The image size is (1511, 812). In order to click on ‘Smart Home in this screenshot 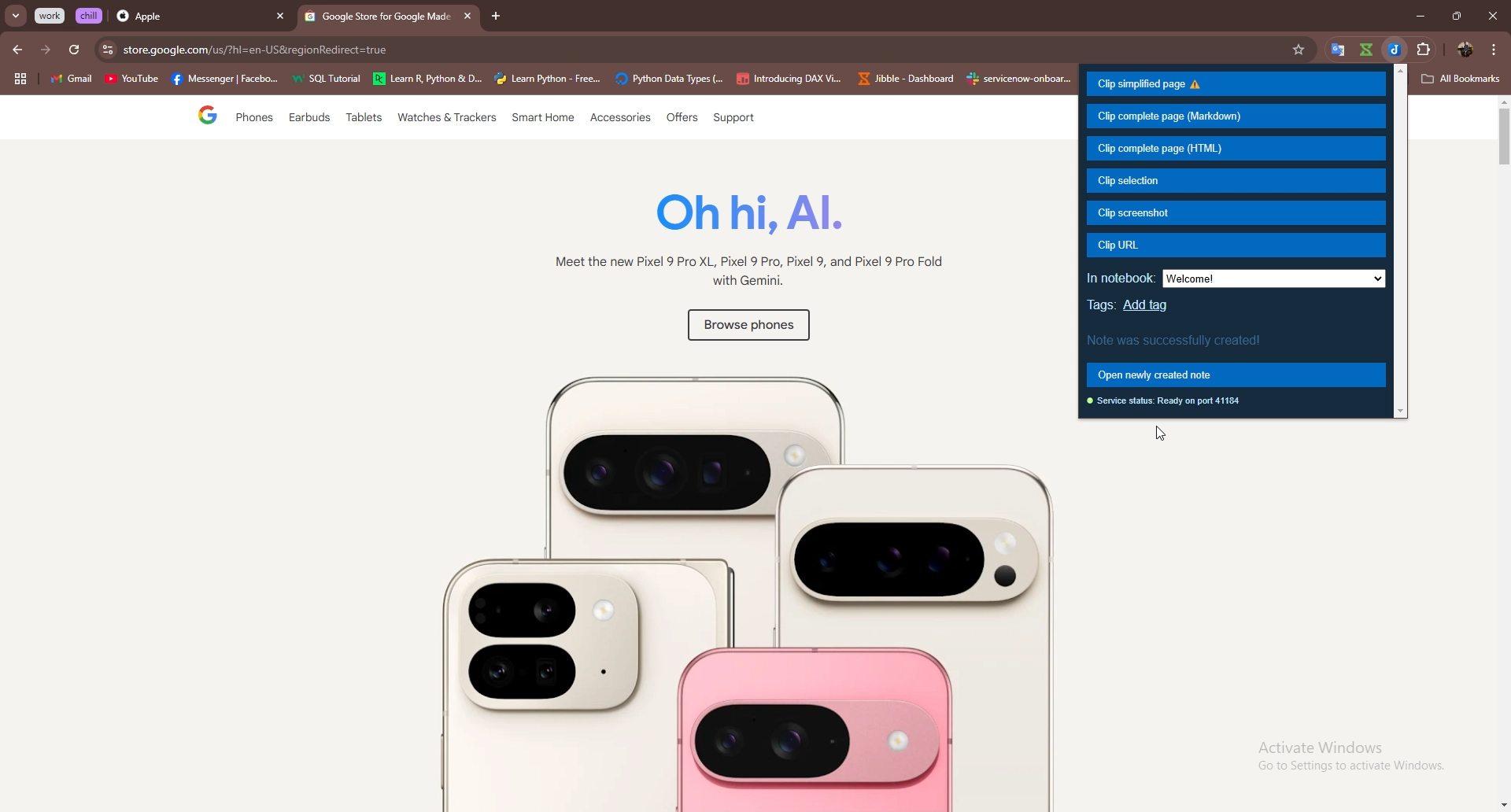, I will do `click(544, 119)`.